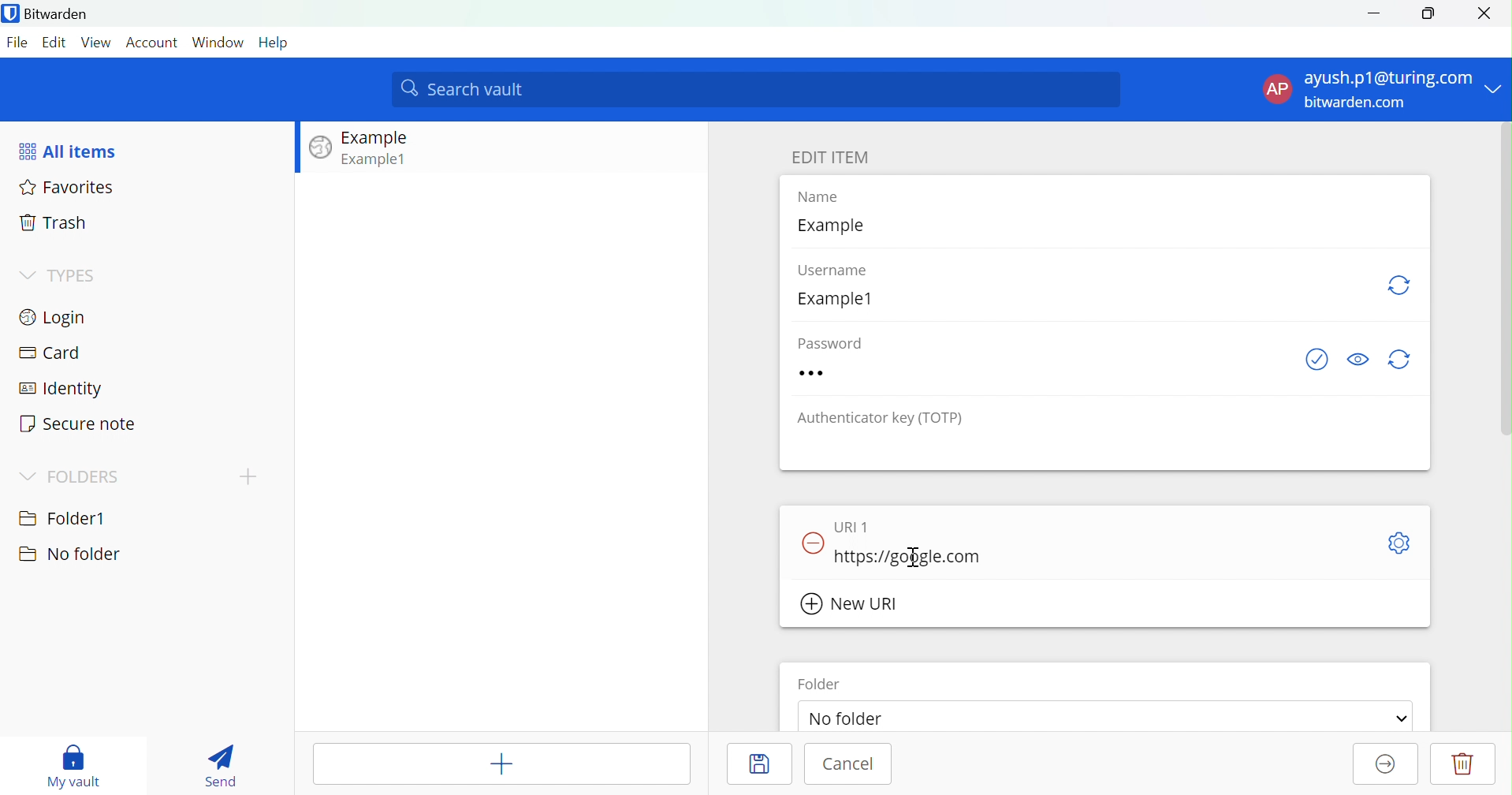 This screenshot has height=795, width=1512. Describe the element at coordinates (843, 299) in the screenshot. I see `Example1` at that location.